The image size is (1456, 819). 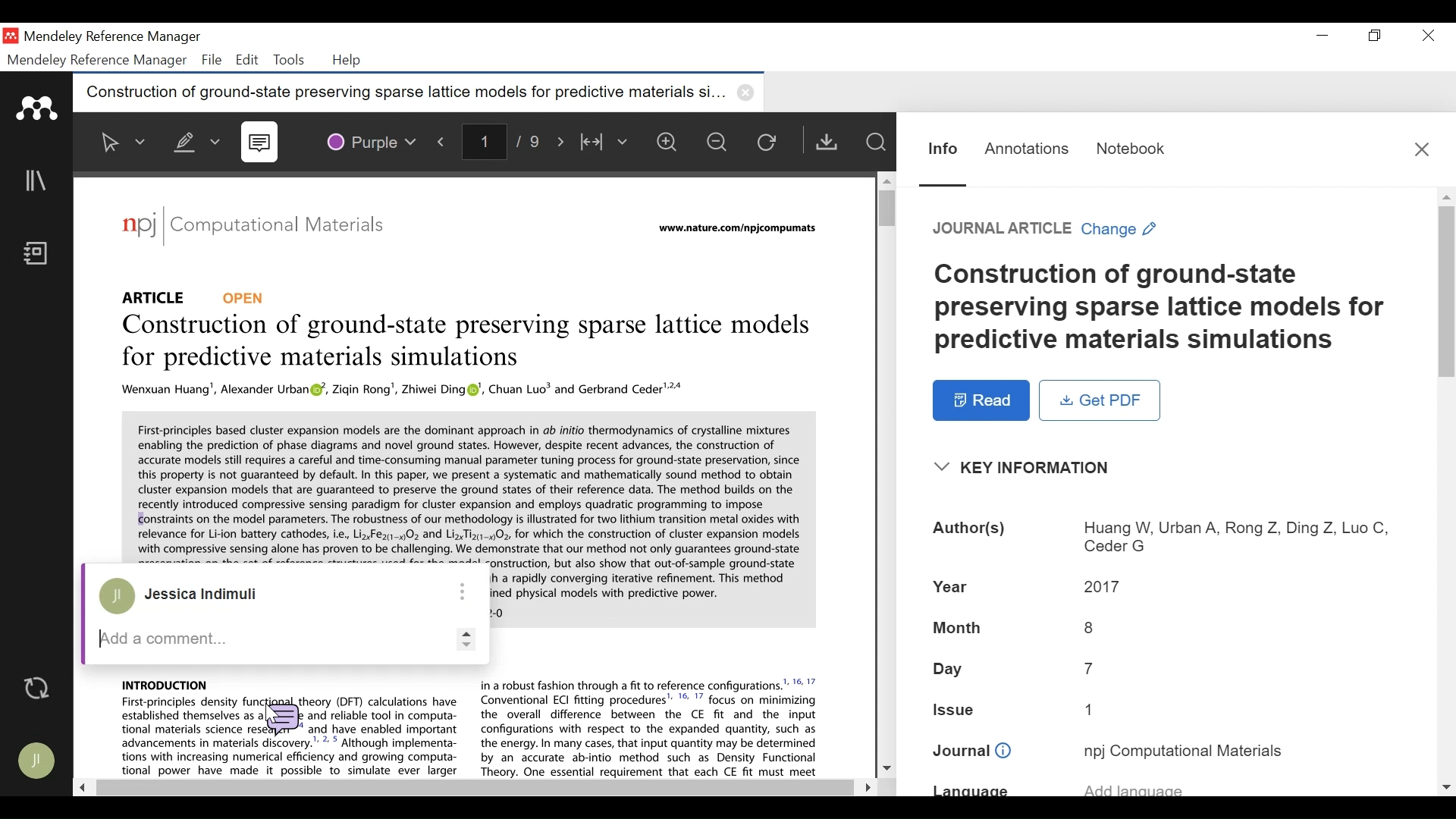 I want to click on Color, so click(x=372, y=140).